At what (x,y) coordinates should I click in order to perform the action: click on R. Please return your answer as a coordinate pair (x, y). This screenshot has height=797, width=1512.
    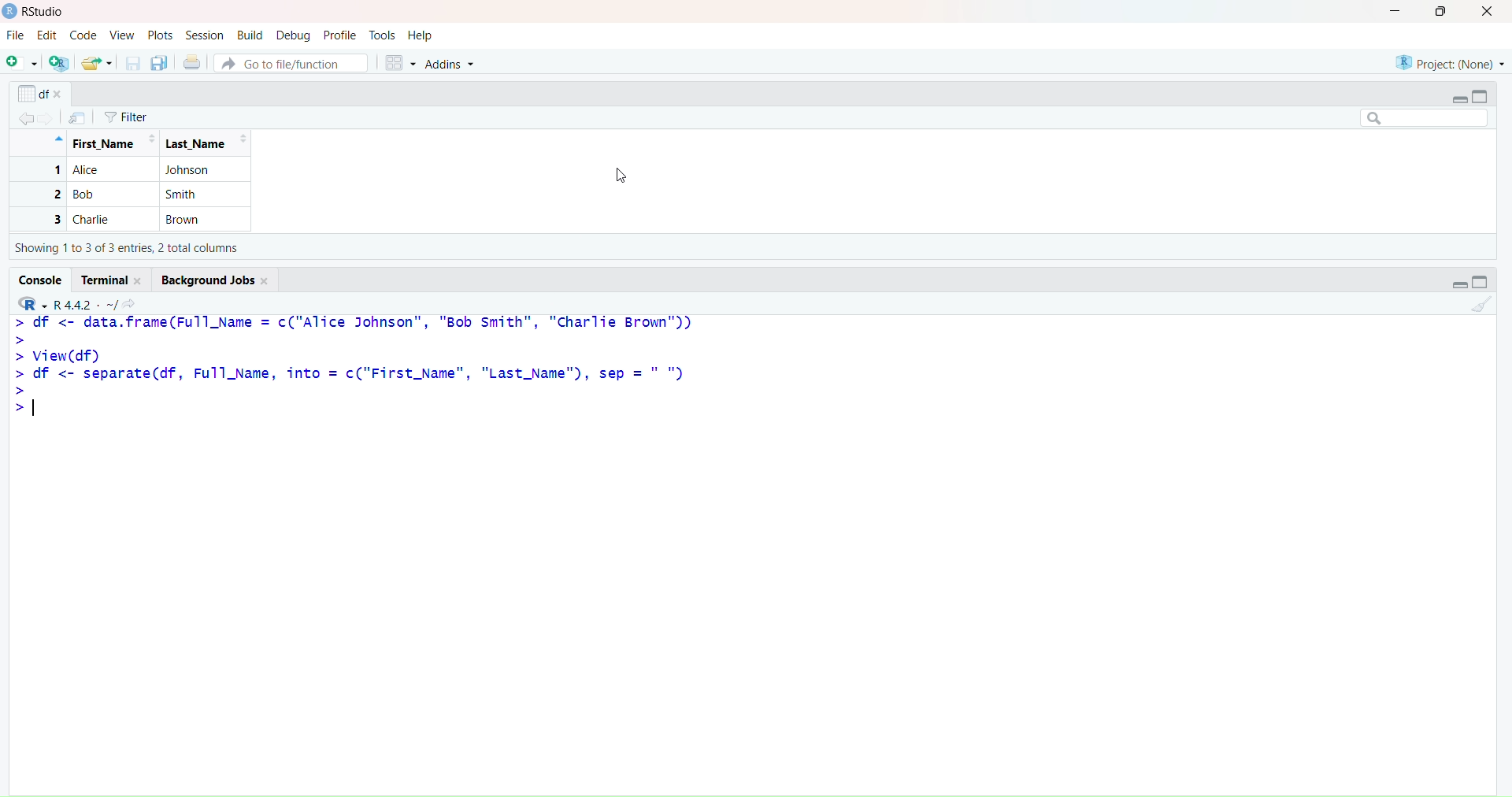
    Looking at the image, I should click on (31, 301).